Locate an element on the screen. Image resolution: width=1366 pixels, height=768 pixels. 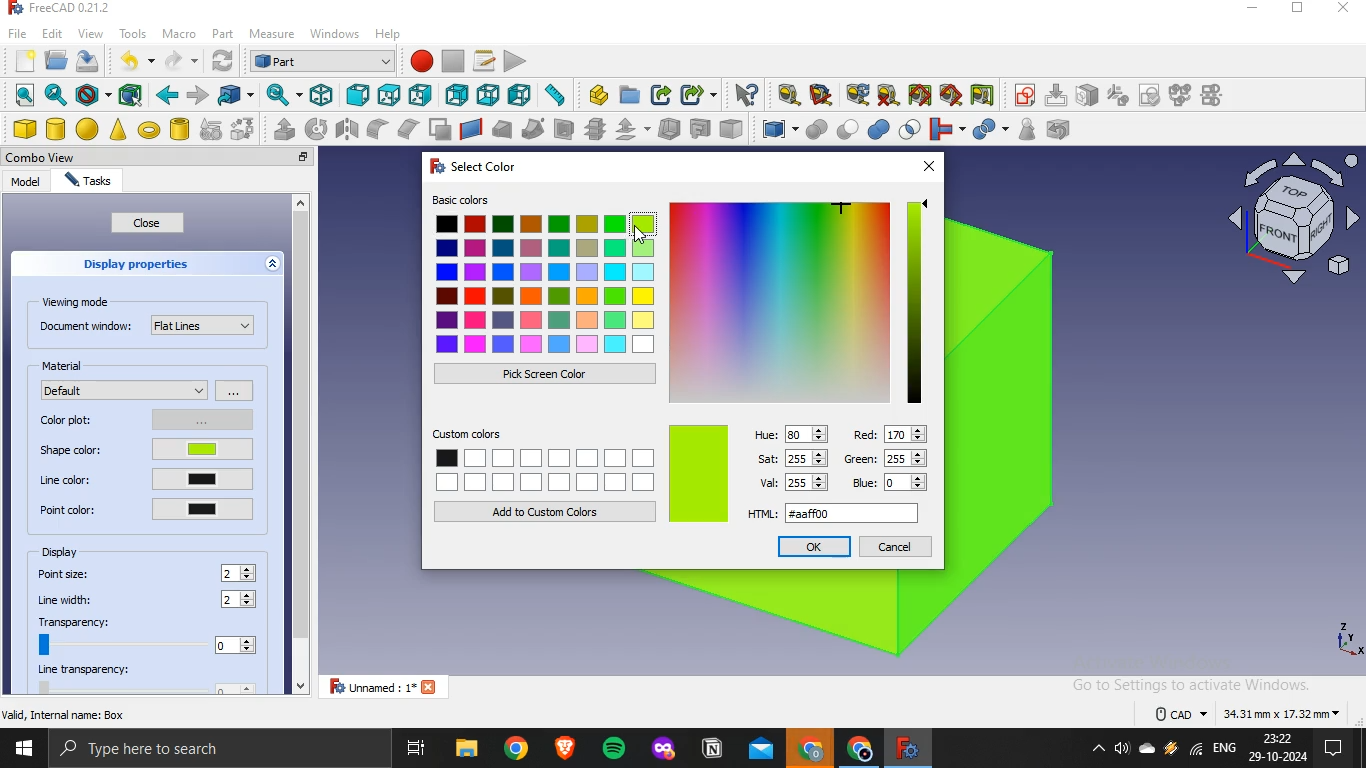
english is located at coordinates (1225, 748).